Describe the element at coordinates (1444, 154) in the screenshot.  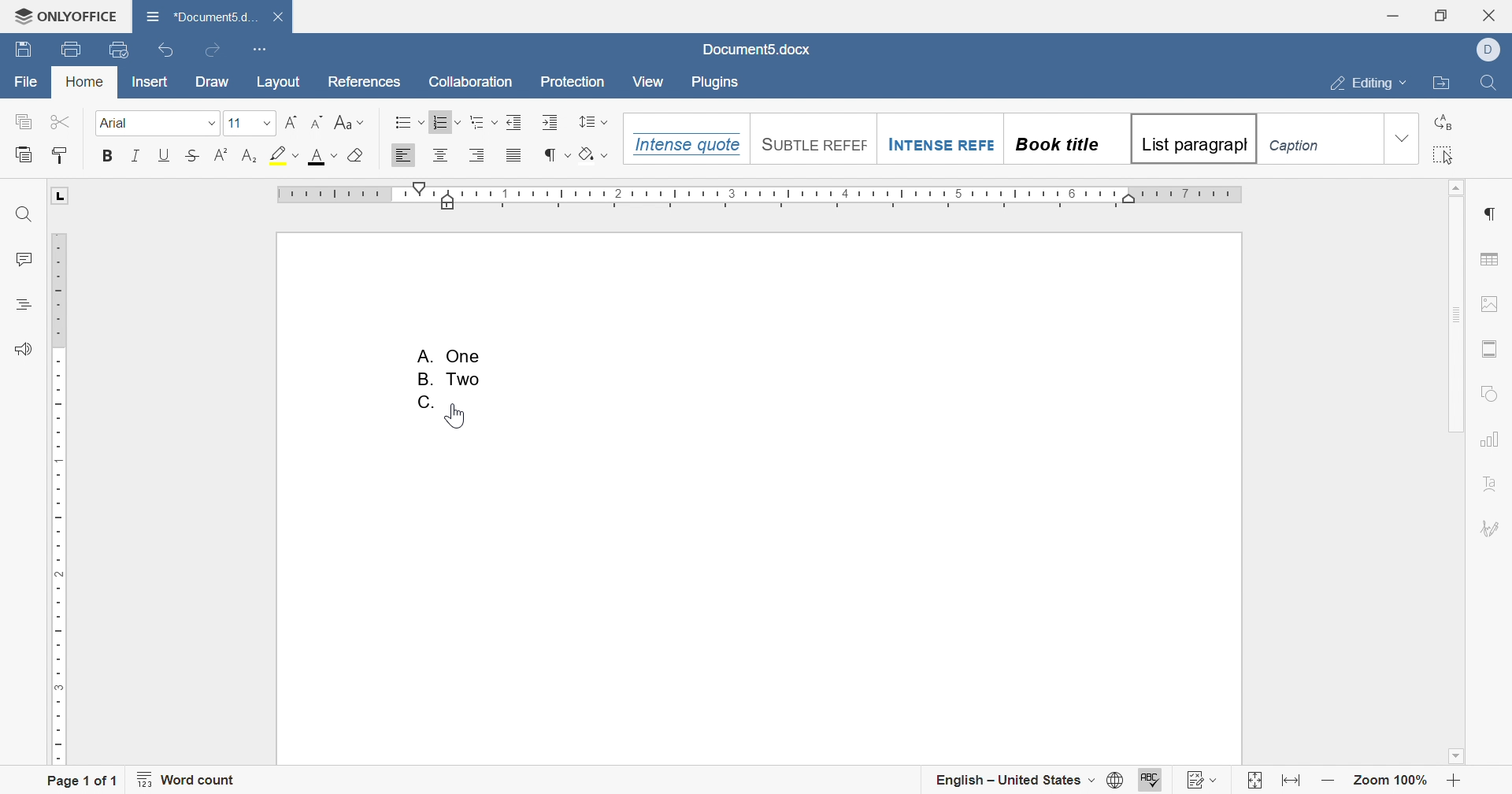
I see `select all` at that location.